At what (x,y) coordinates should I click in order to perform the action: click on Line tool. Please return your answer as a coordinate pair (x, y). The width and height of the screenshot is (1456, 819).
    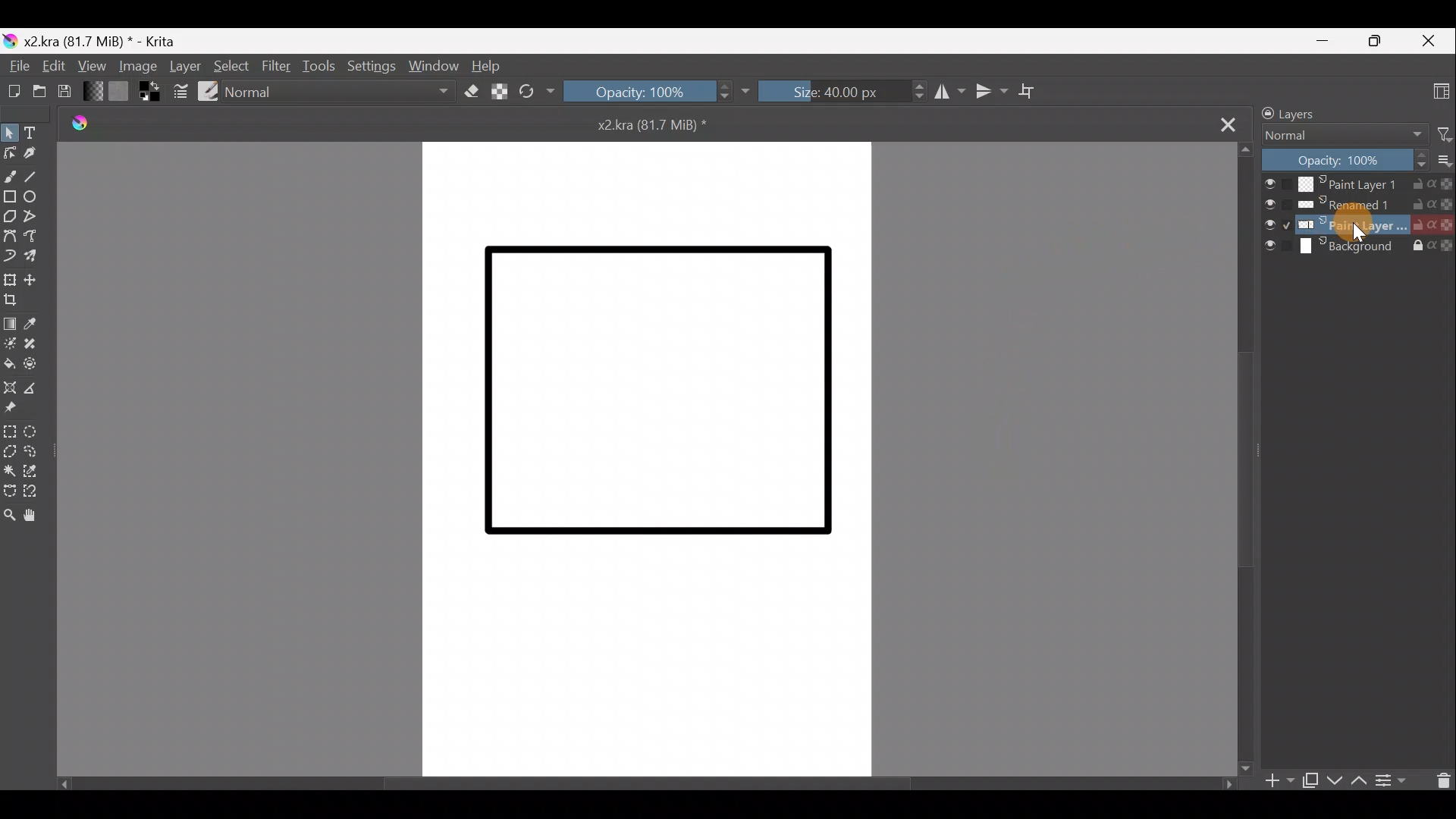
    Looking at the image, I should click on (36, 174).